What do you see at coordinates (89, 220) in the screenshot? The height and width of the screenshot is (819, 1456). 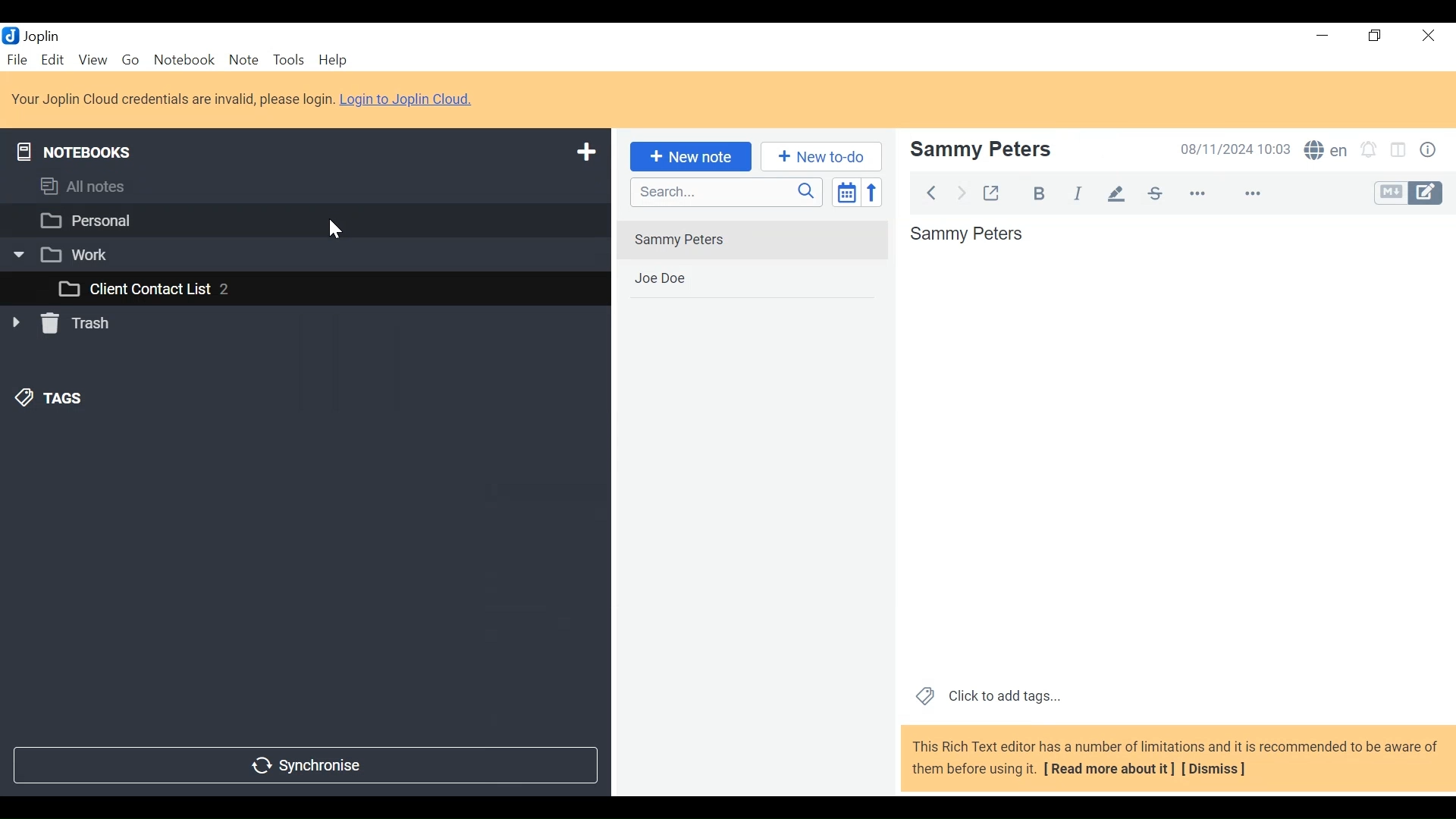 I see `7) Personal` at bounding box center [89, 220].